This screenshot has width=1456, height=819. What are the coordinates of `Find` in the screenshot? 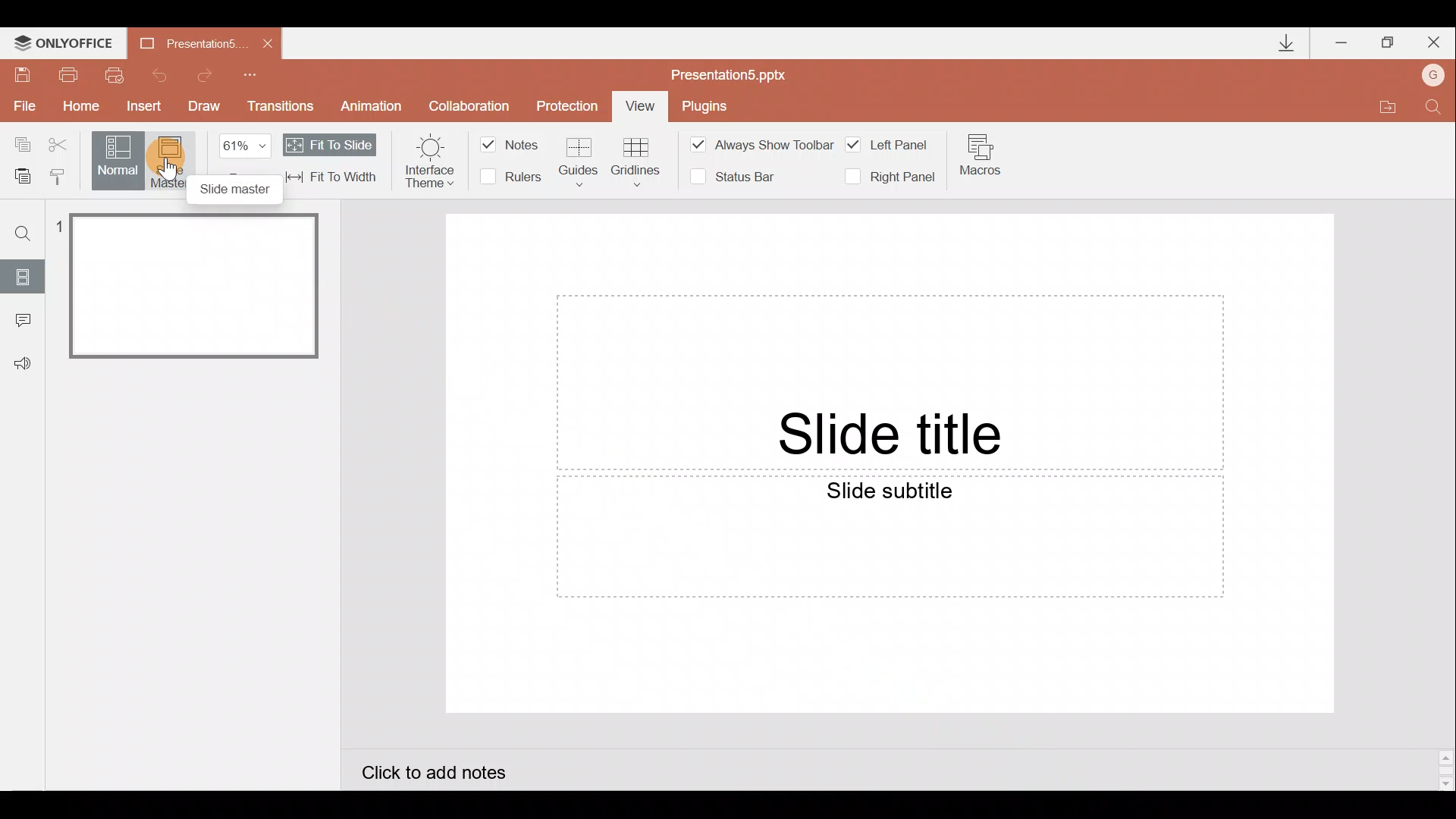 It's located at (17, 227).